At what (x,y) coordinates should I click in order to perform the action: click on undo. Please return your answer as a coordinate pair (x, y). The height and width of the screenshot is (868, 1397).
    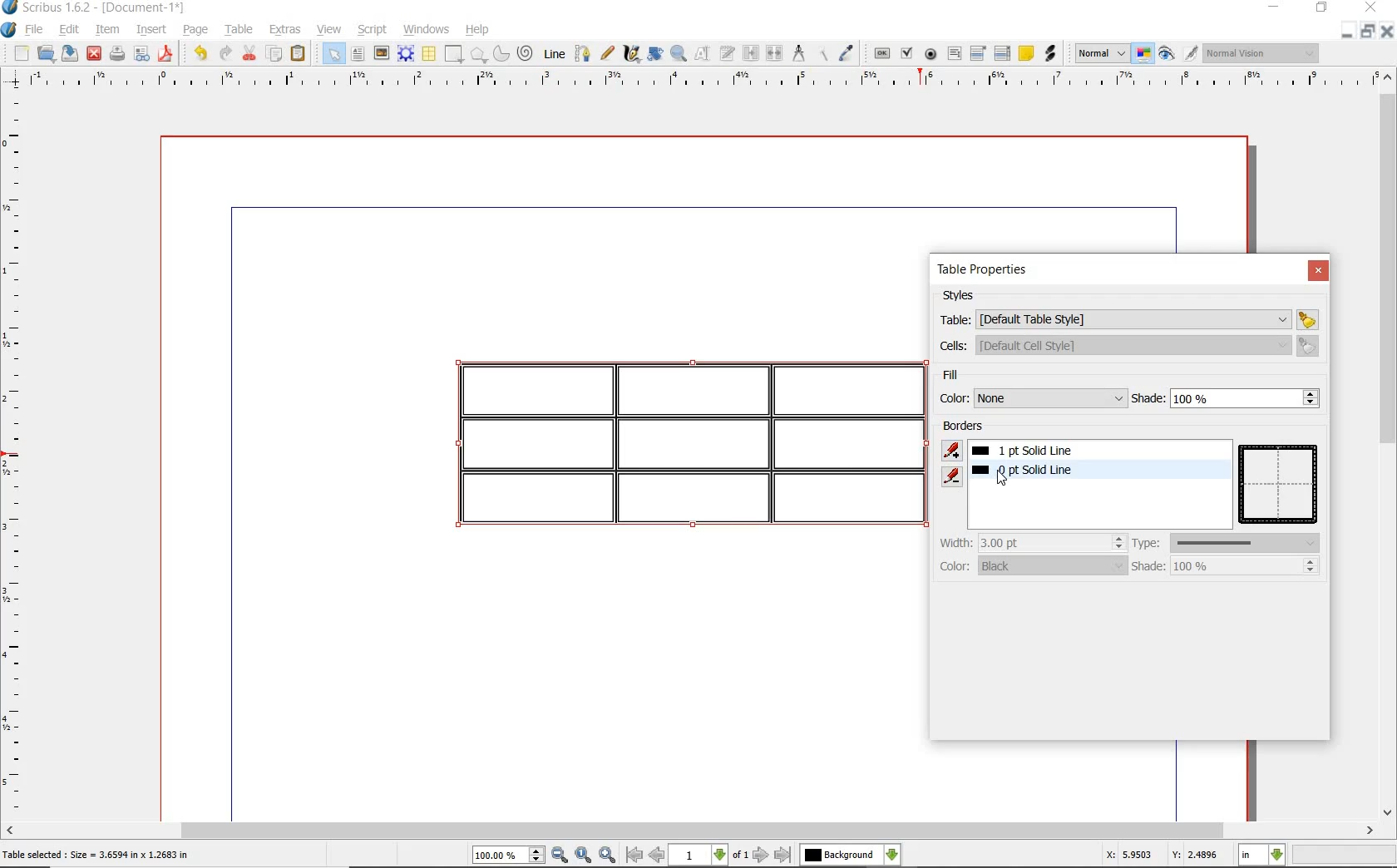
    Looking at the image, I should click on (200, 54).